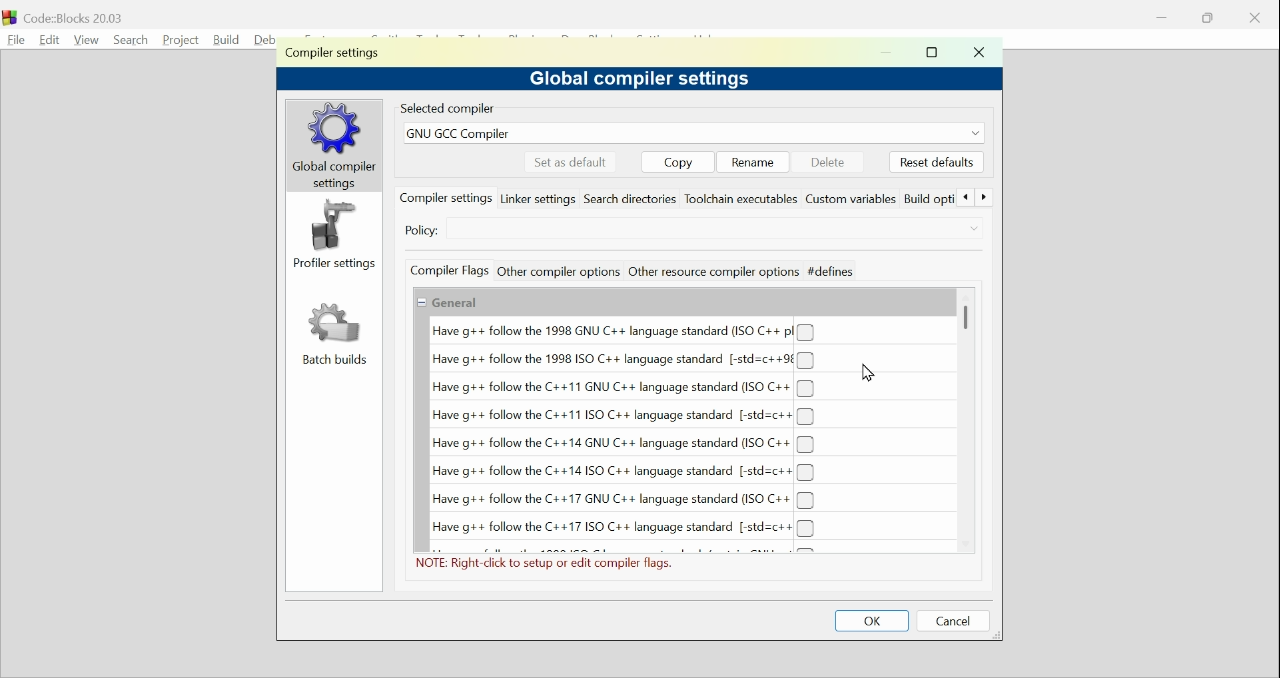 The image size is (1280, 678). I want to click on Search directories, so click(632, 200).